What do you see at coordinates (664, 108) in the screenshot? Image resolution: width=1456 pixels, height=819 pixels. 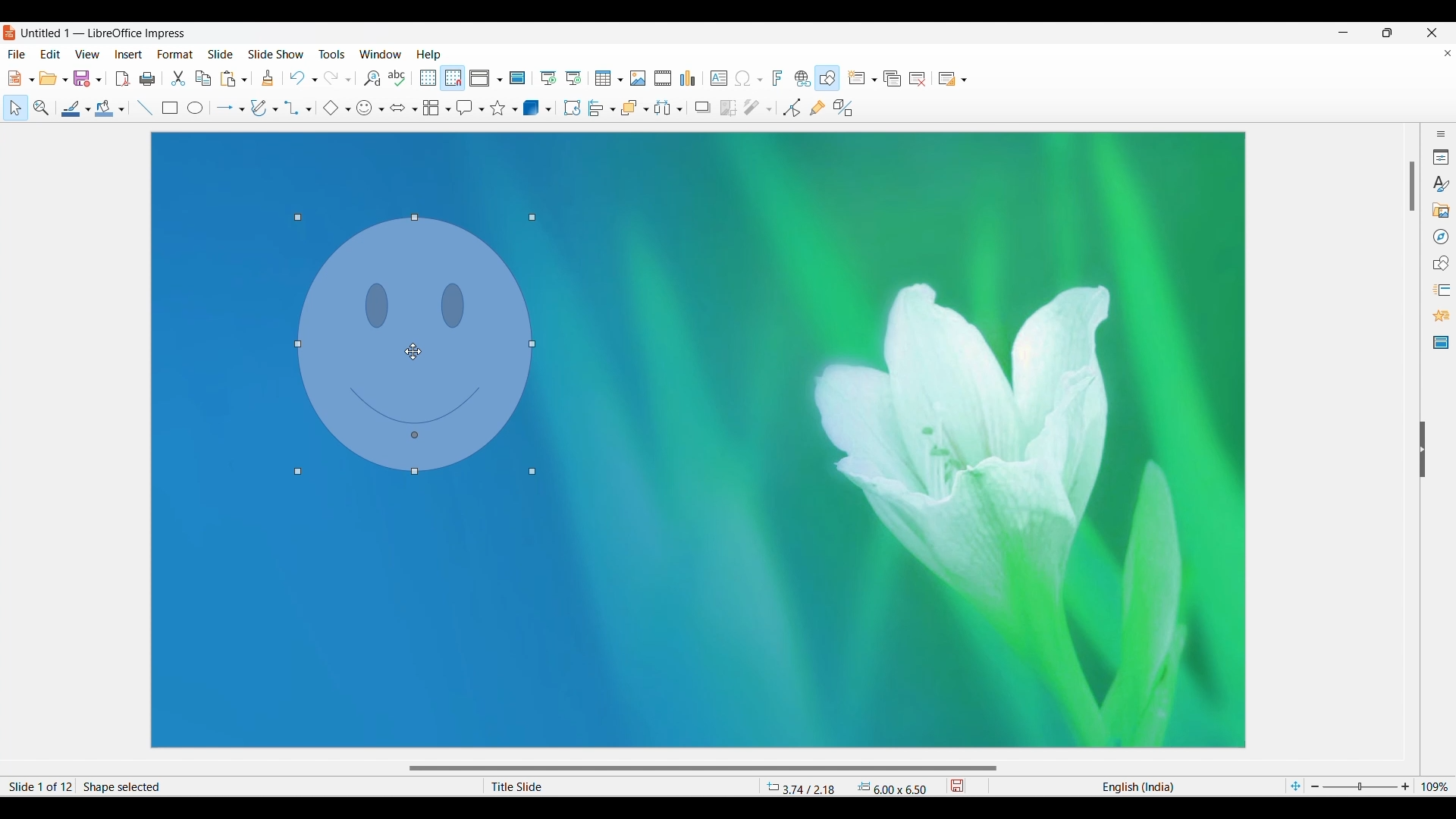 I see `Selected objects to distribute option` at bounding box center [664, 108].